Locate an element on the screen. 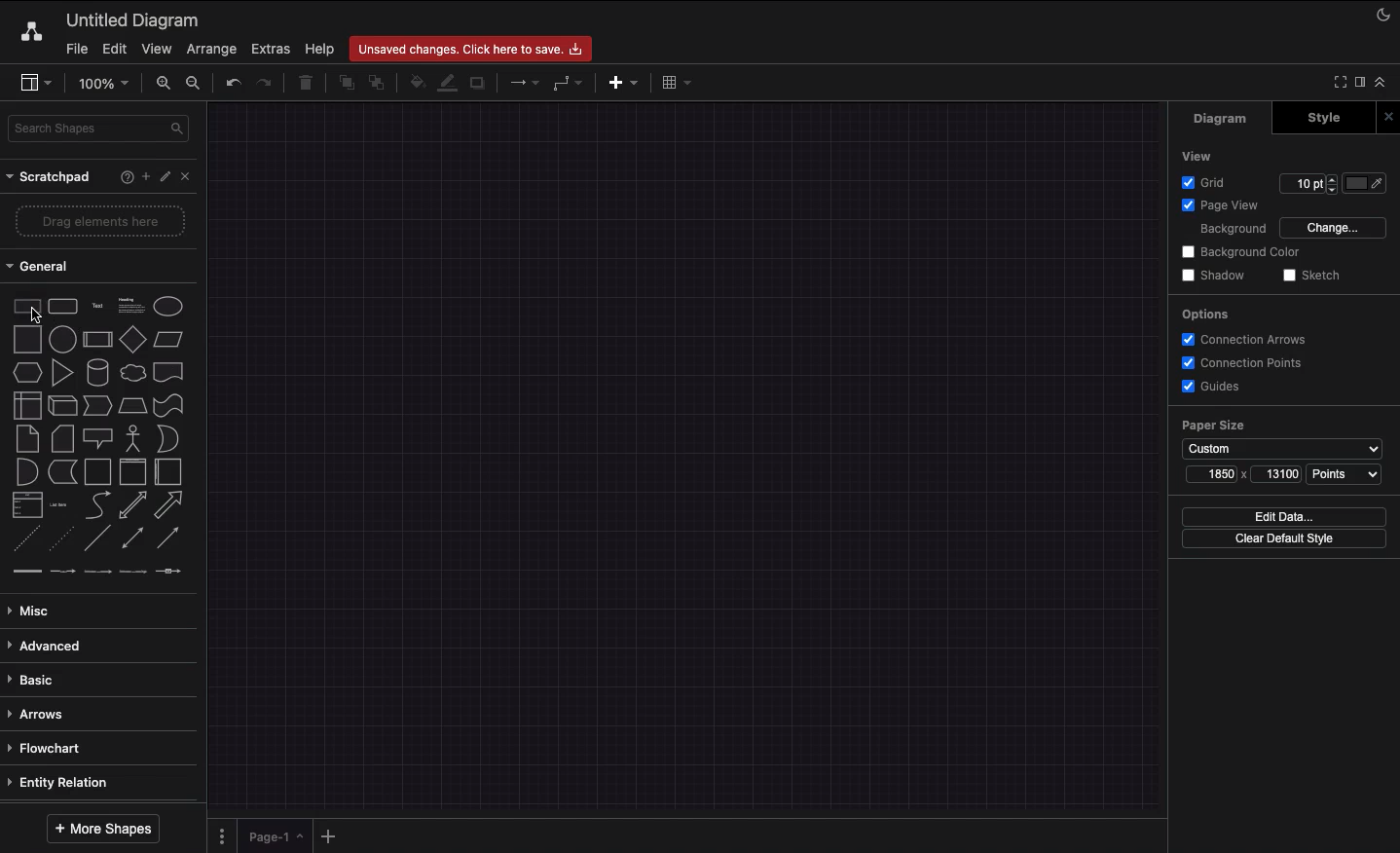 The height and width of the screenshot is (853, 1400). Pages is located at coordinates (220, 836).